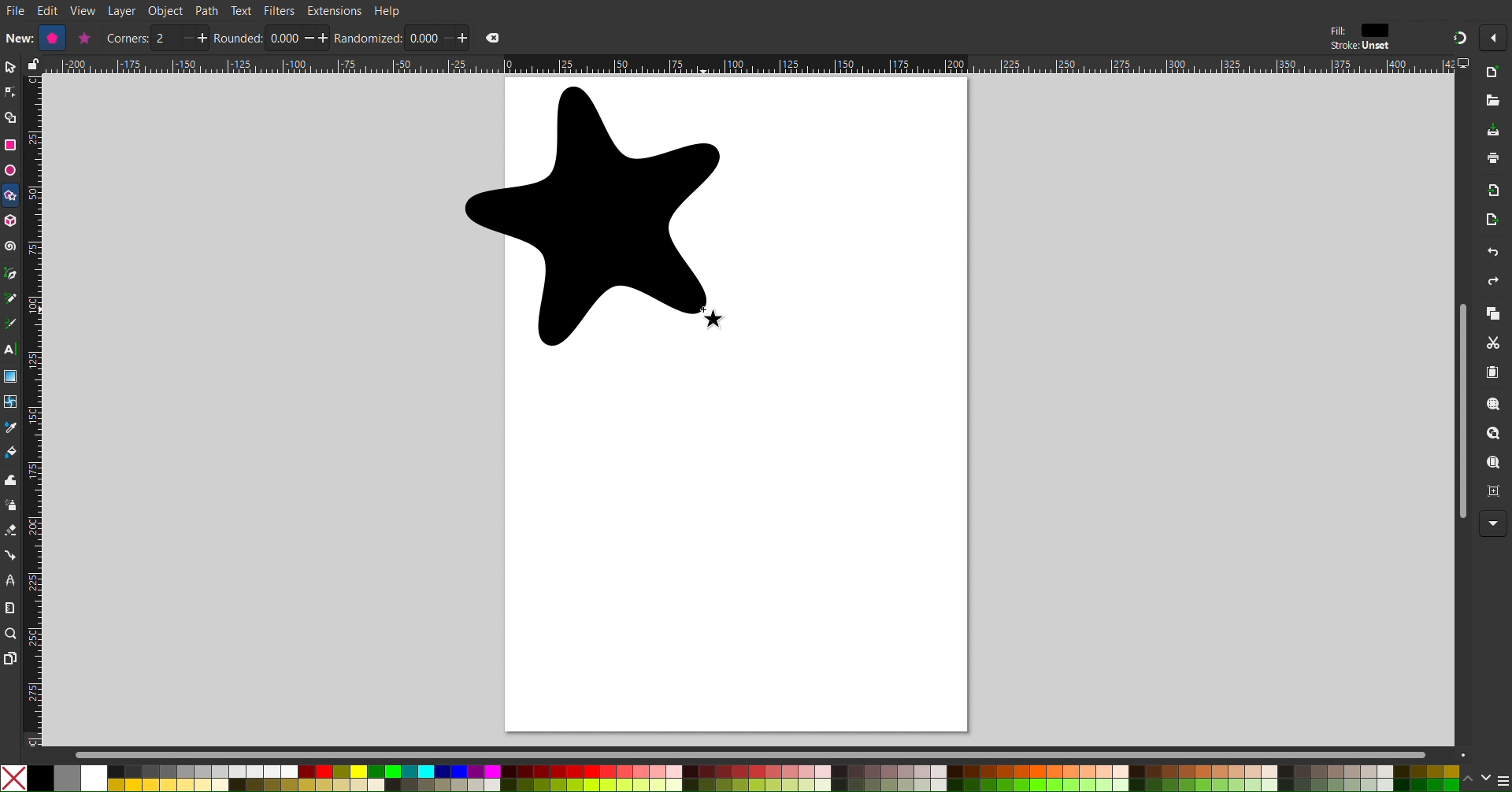 The height and width of the screenshot is (792, 1512). Describe the element at coordinates (1493, 222) in the screenshot. I see `Open Export` at that location.